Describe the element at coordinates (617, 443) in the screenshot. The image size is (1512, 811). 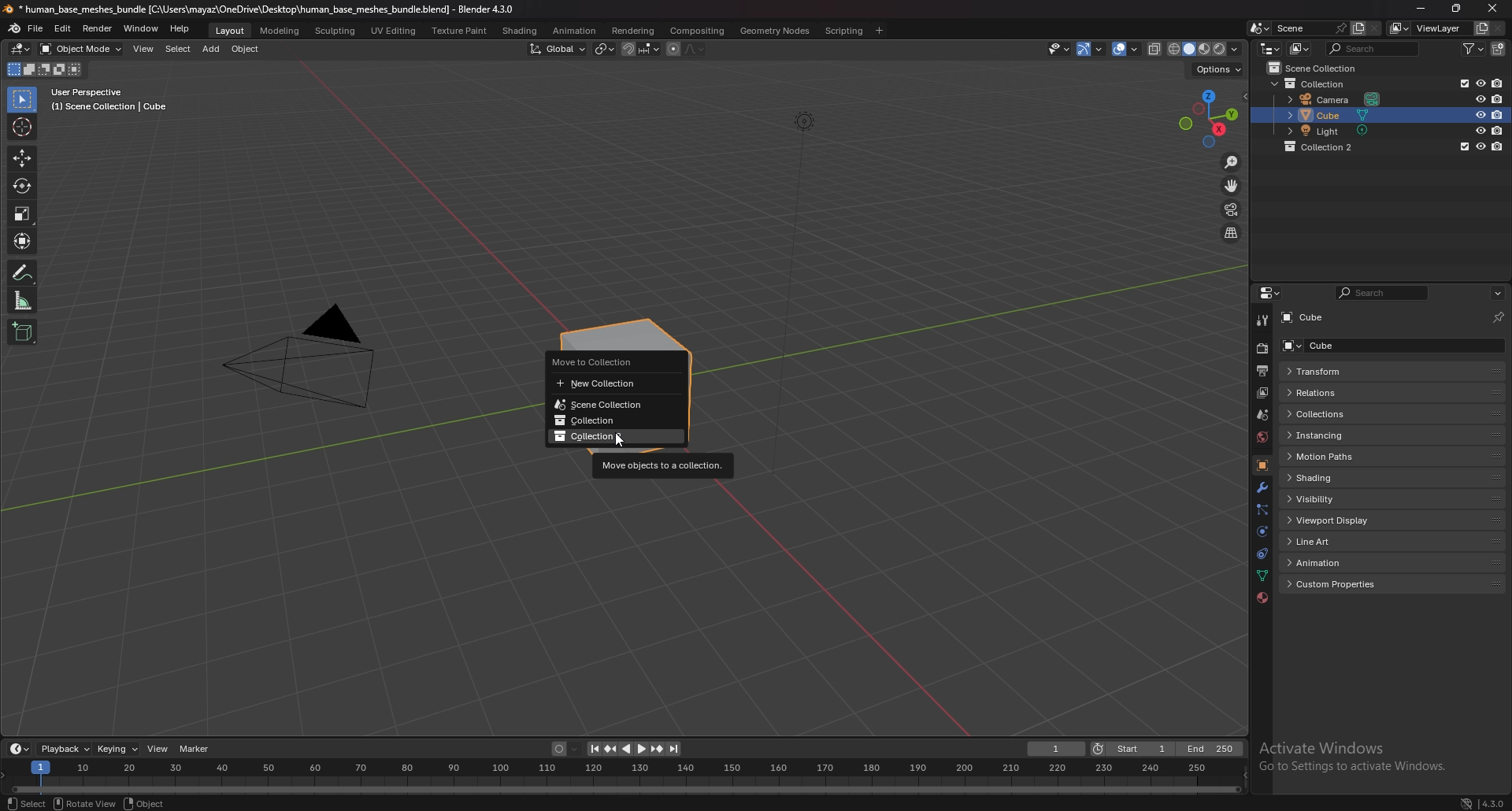
I see `cursor` at that location.